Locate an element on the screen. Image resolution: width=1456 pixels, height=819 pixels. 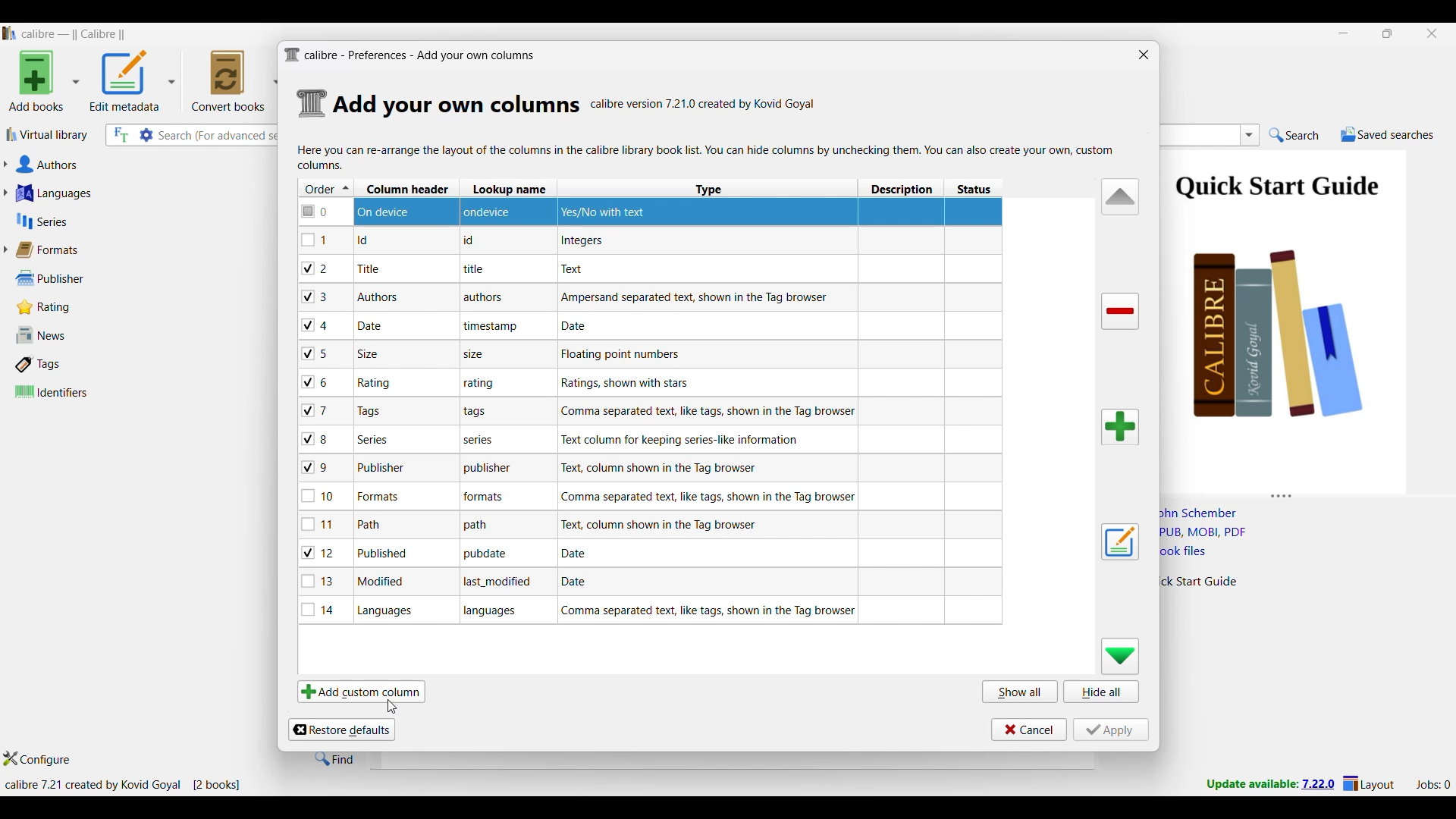
note is located at coordinates (502, 584).